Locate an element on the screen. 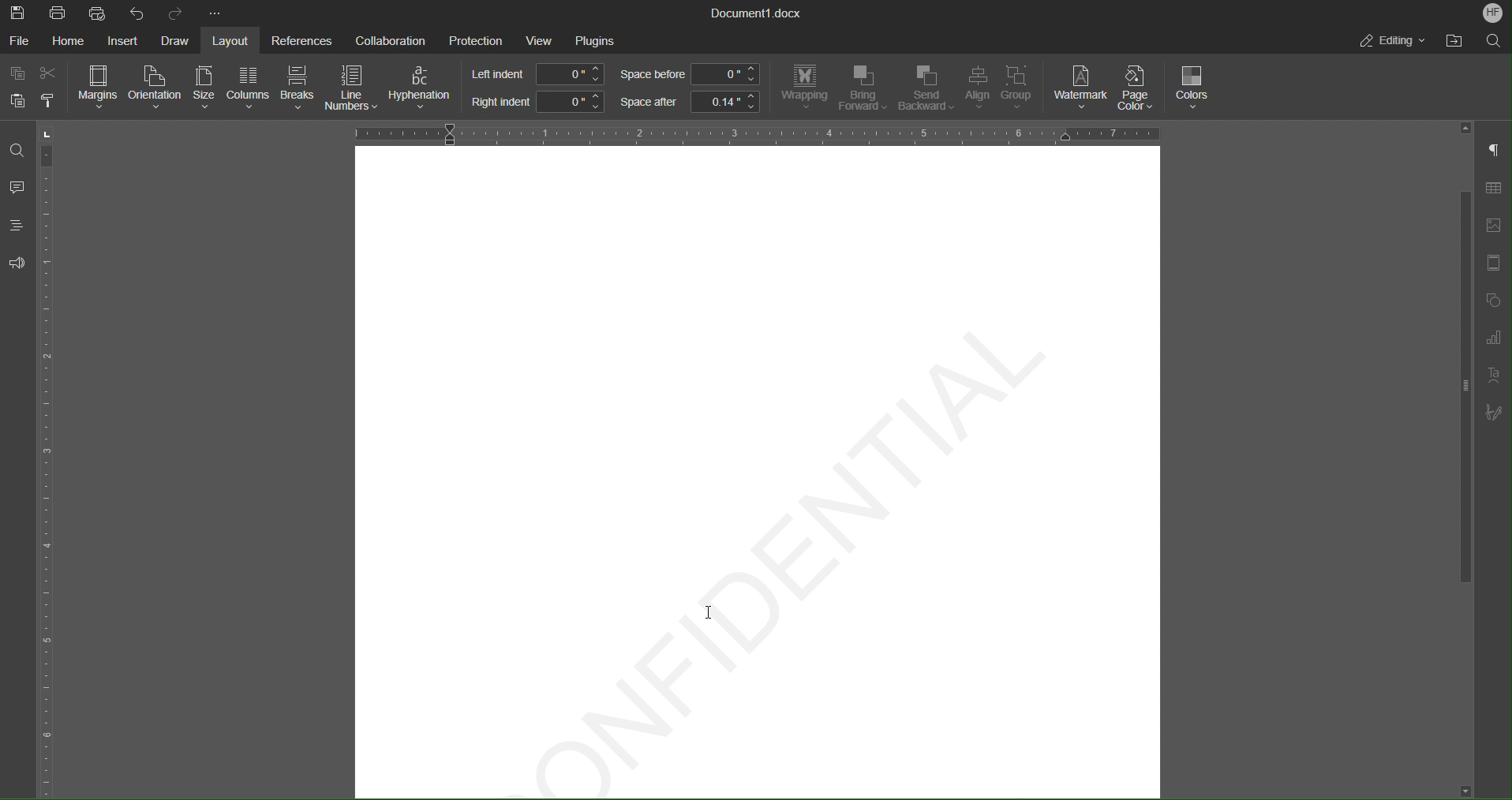 The image size is (1512, 800). Line Numbers is located at coordinates (353, 90).